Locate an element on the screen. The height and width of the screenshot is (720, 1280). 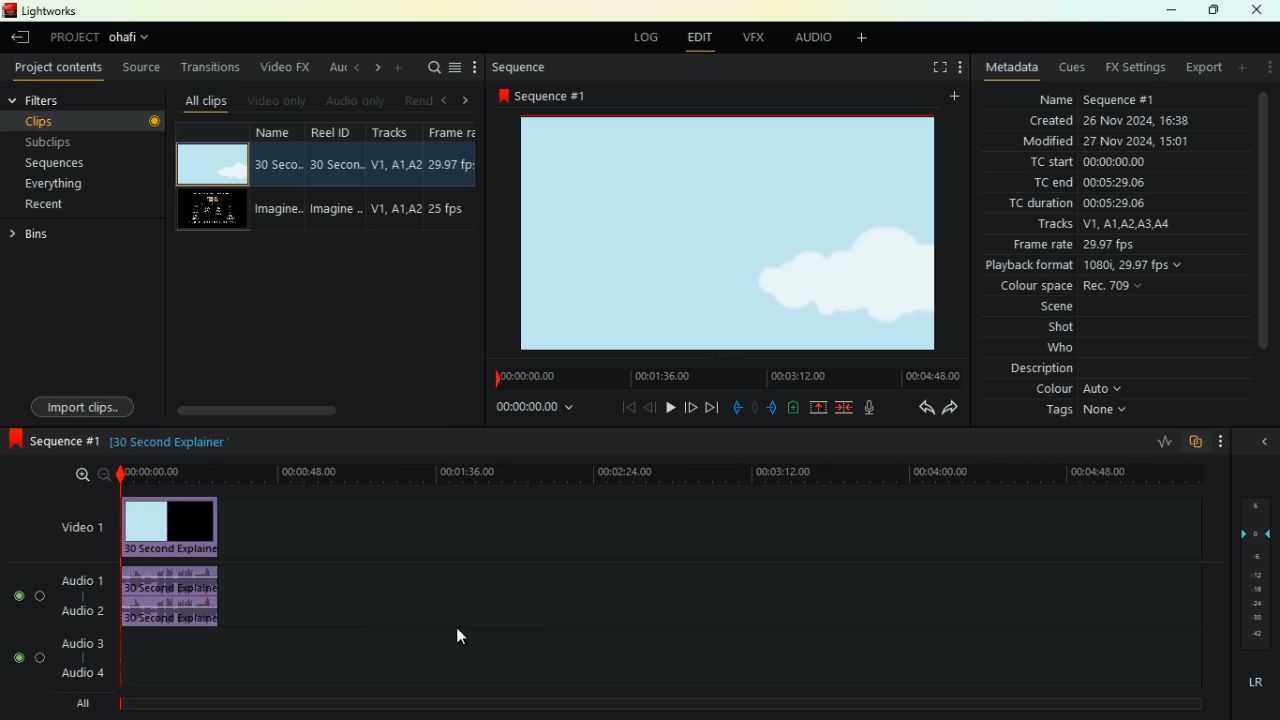
audio 4 is located at coordinates (83, 674).